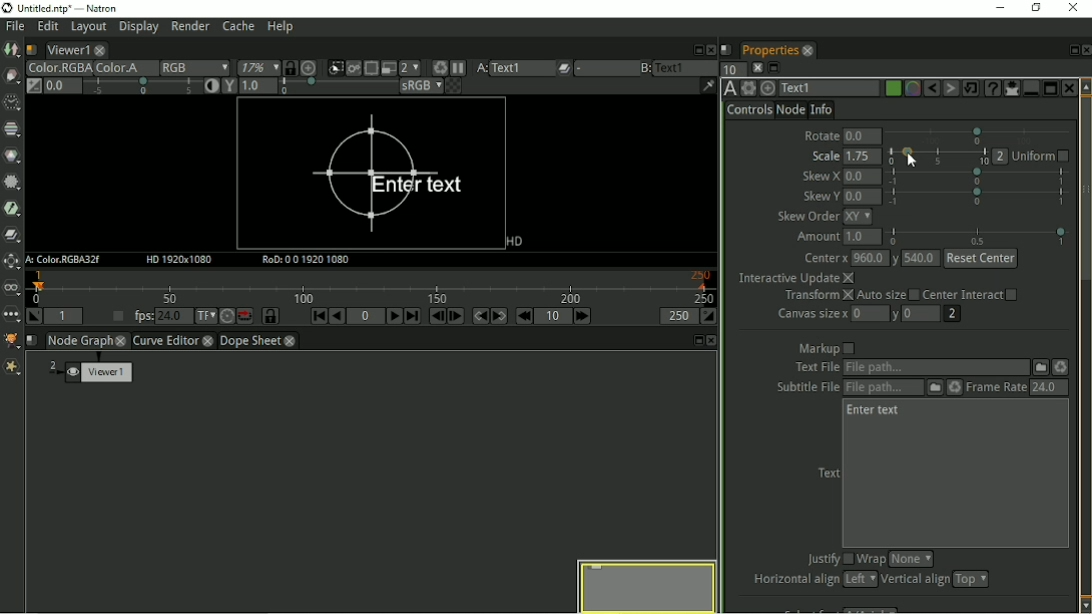  Describe the element at coordinates (1075, 9) in the screenshot. I see `Close` at that location.